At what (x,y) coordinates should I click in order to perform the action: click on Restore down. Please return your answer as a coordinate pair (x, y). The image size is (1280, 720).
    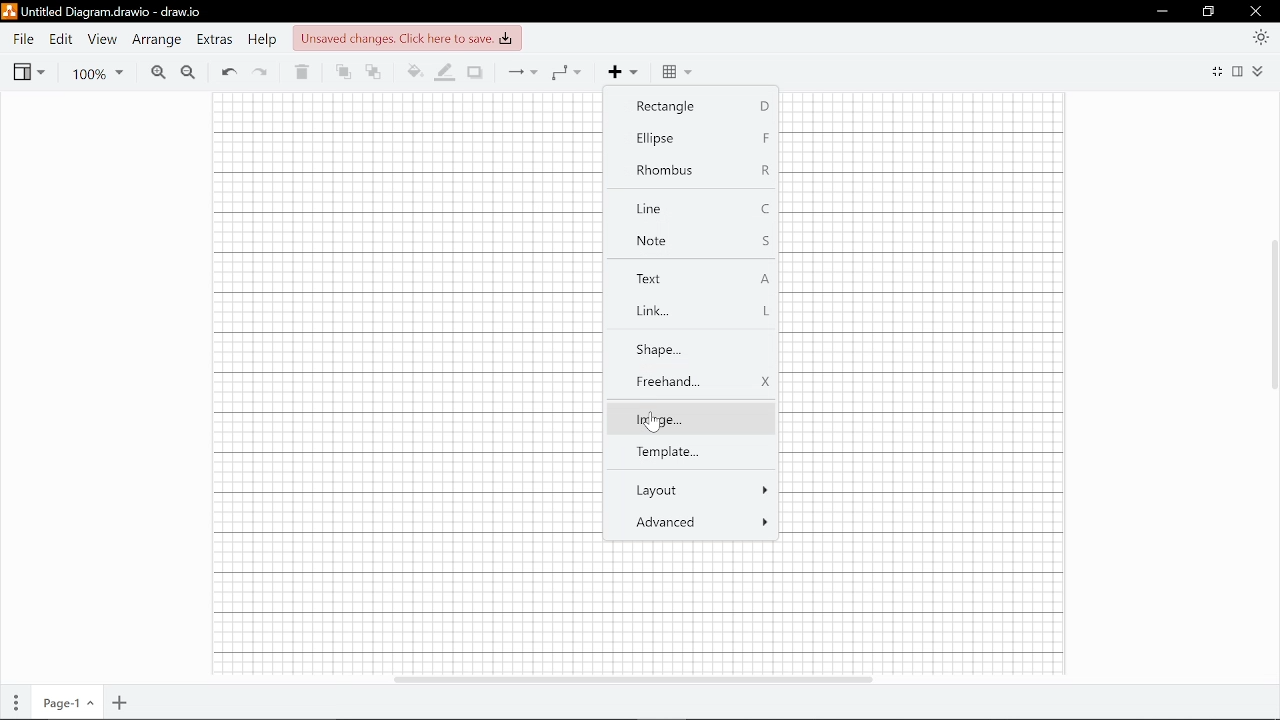
    Looking at the image, I should click on (1209, 12).